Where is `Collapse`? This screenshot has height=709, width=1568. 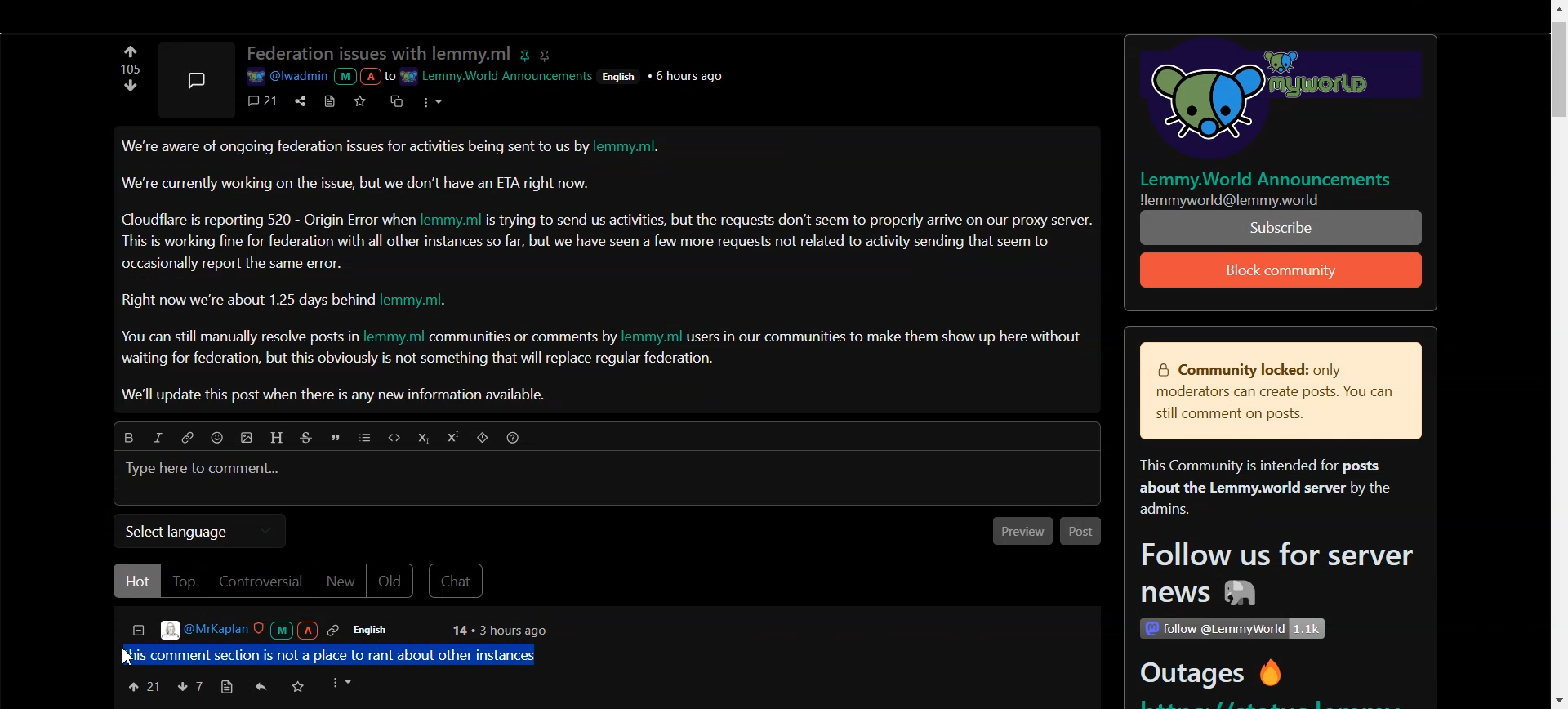 Collapse is located at coordinates (137, 632).